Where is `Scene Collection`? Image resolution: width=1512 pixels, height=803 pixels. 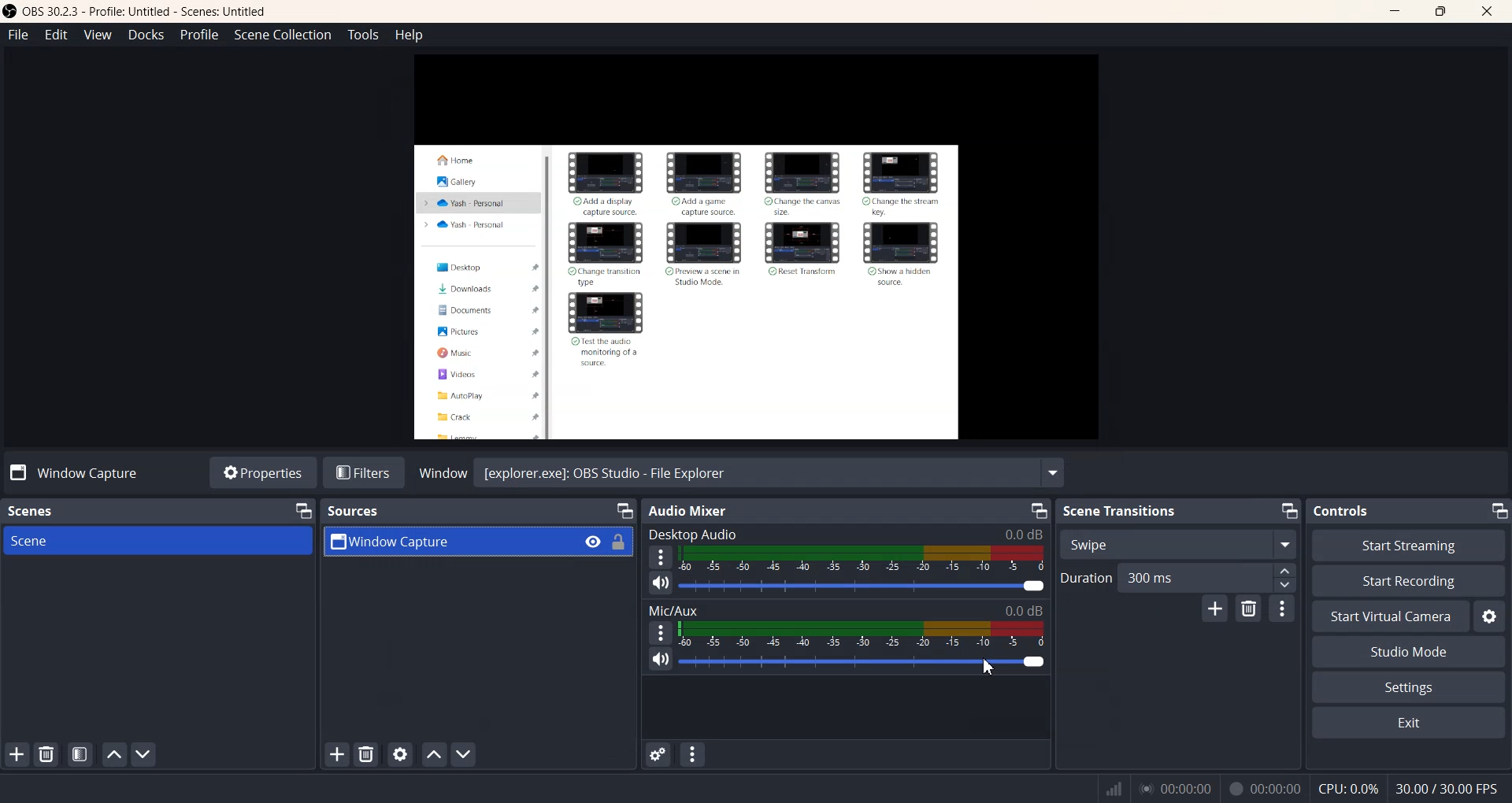 Scene Collection is located at coordinates (281, 35).